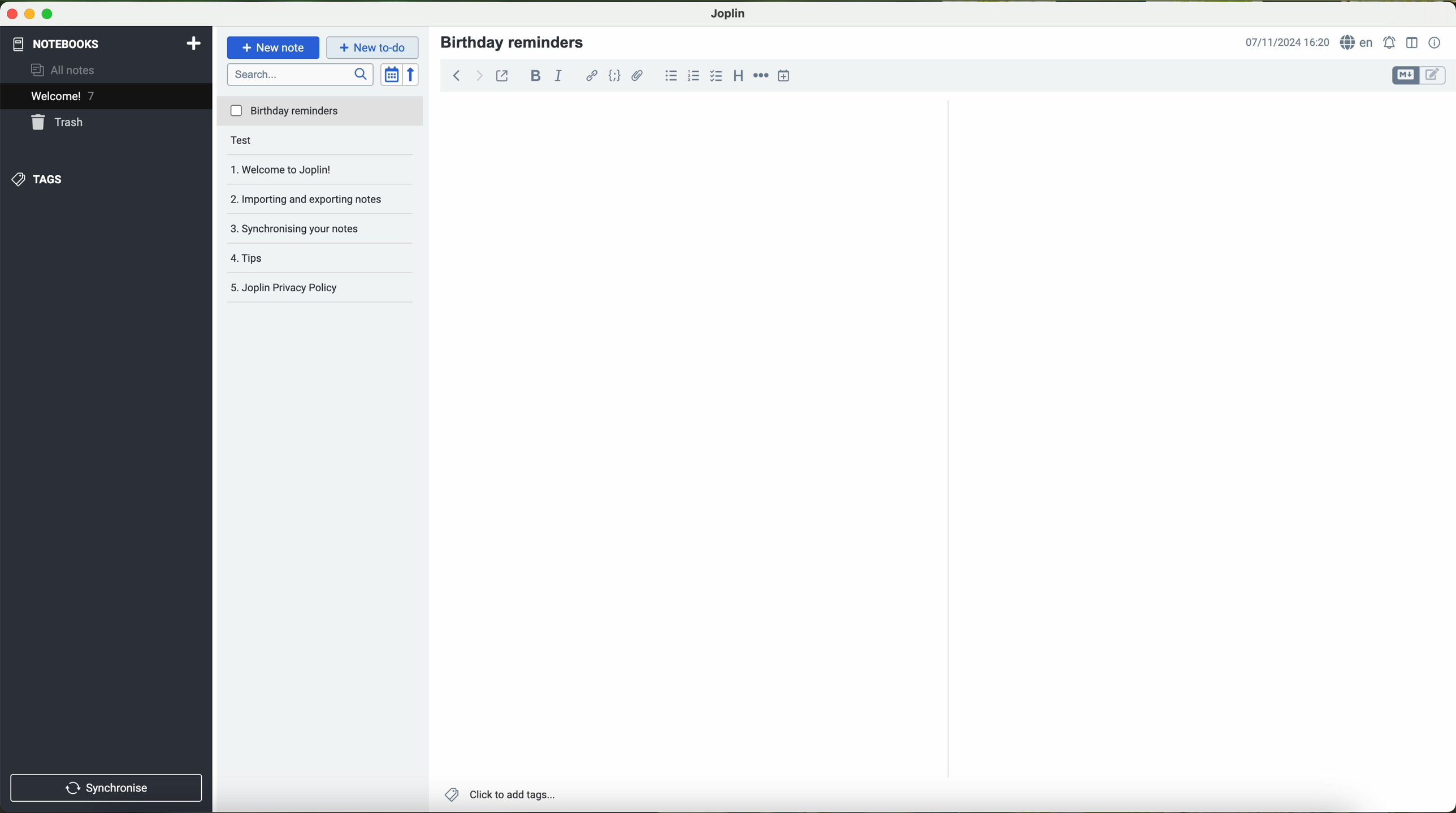 The height and width of the screenshot is (813, 1456). I want to click on notebooks tab, so click(106, 44).